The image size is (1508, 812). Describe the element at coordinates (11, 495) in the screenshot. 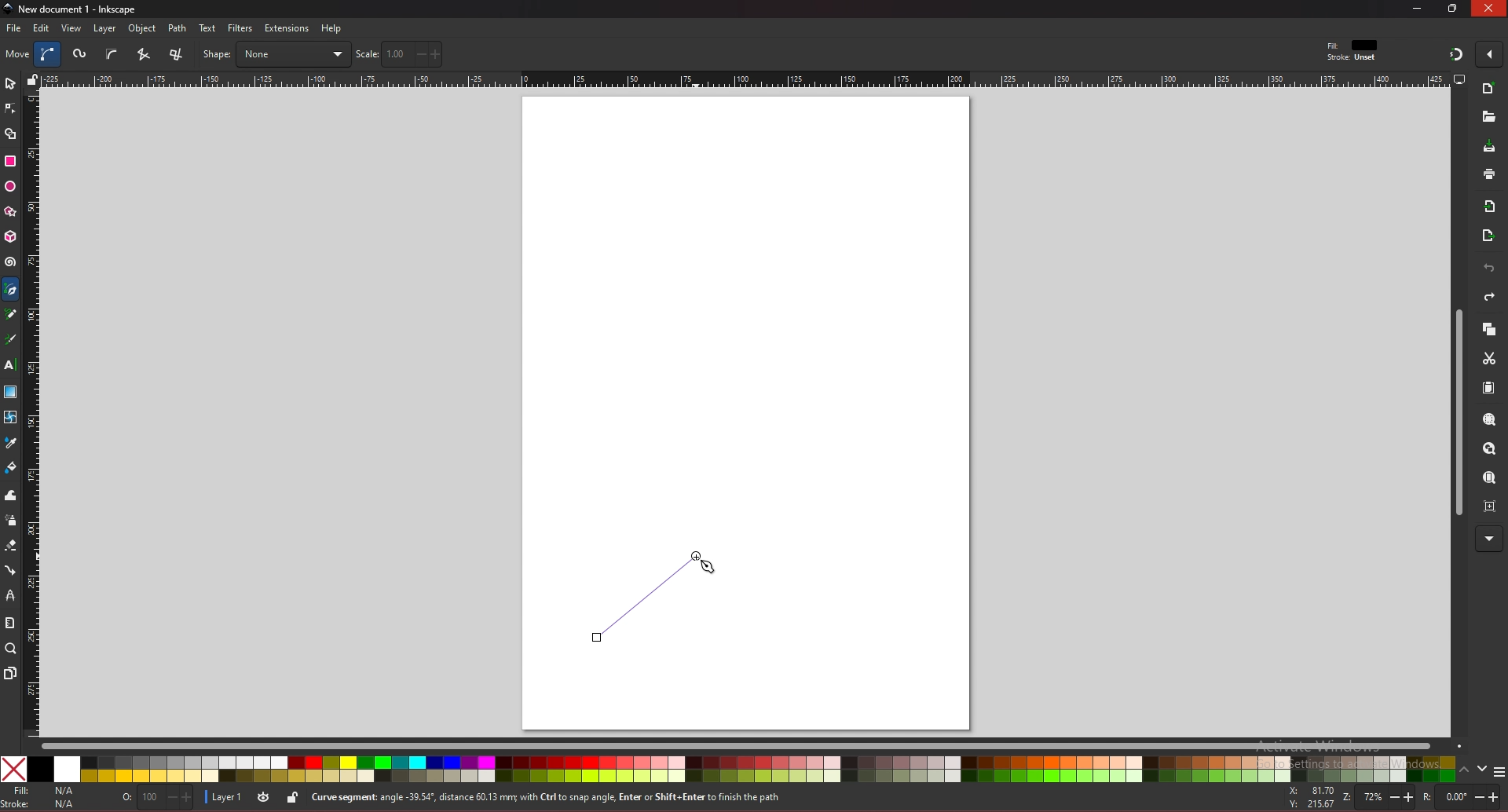

I see `tweak` at that location.